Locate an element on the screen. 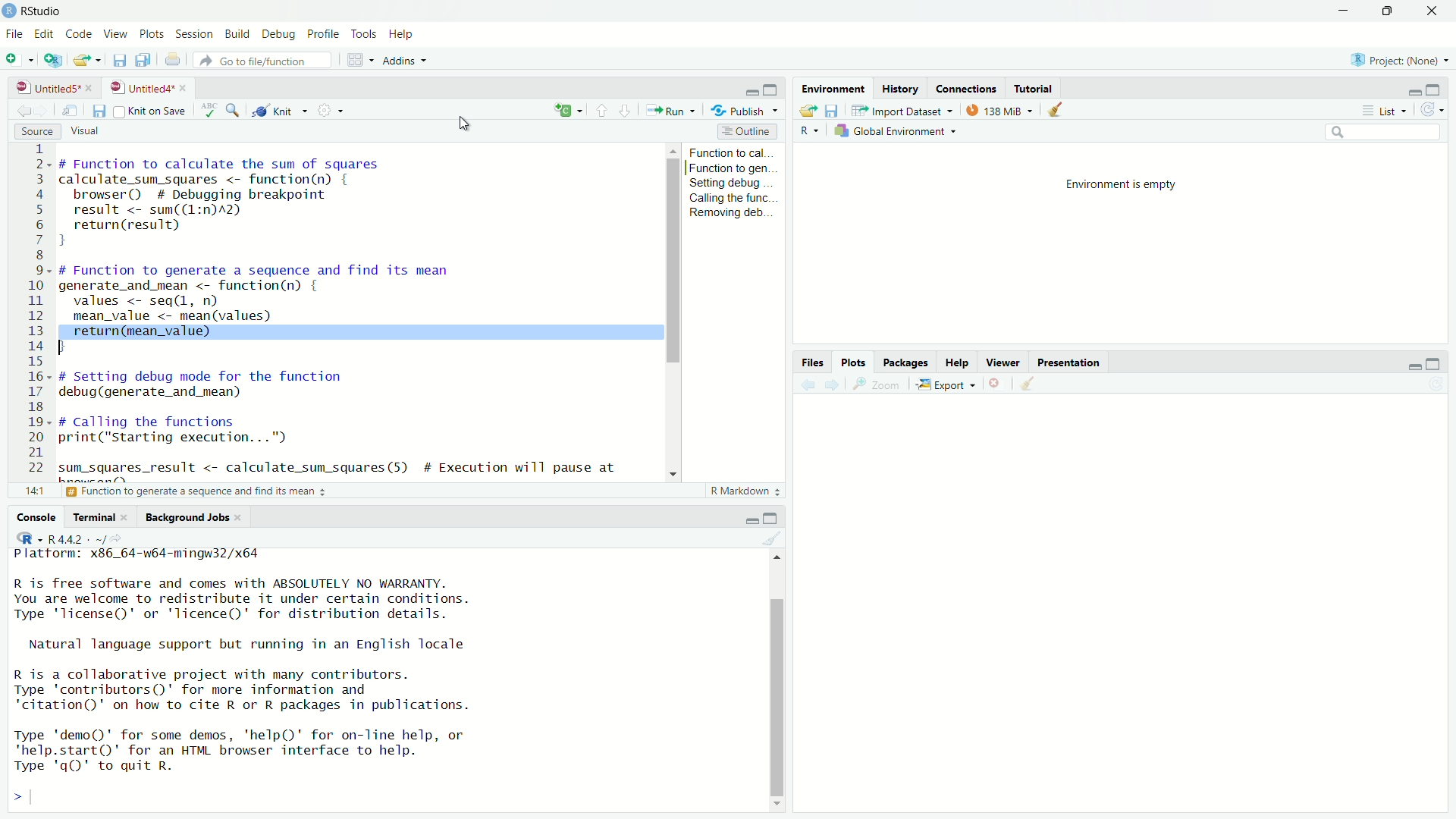 This screenshot has height=819, width=1456. code of function to generate a sequence and find its mean is located at coordinates (286, 309).